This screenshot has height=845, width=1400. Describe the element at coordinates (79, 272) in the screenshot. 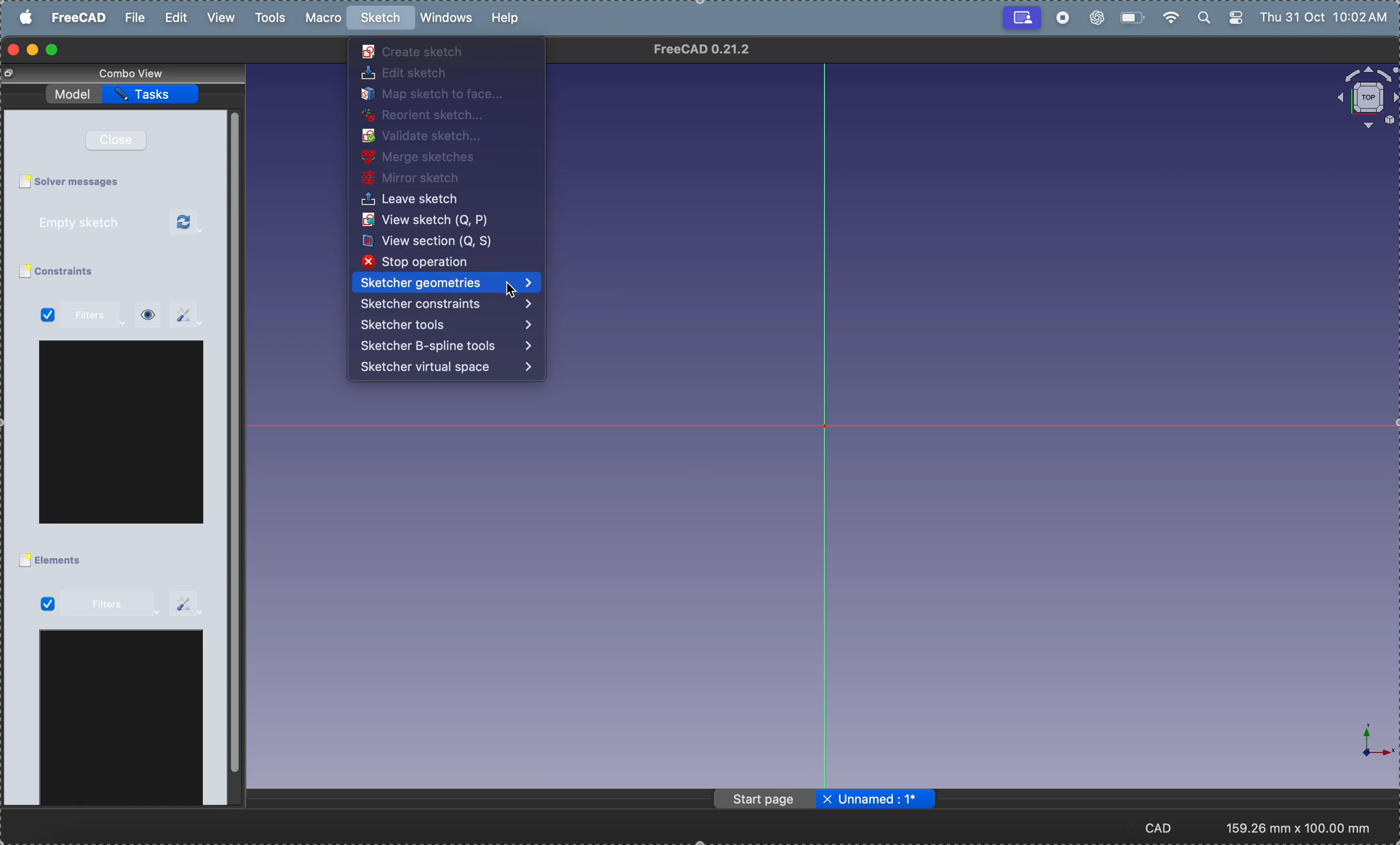

I see `constraints` at that location.